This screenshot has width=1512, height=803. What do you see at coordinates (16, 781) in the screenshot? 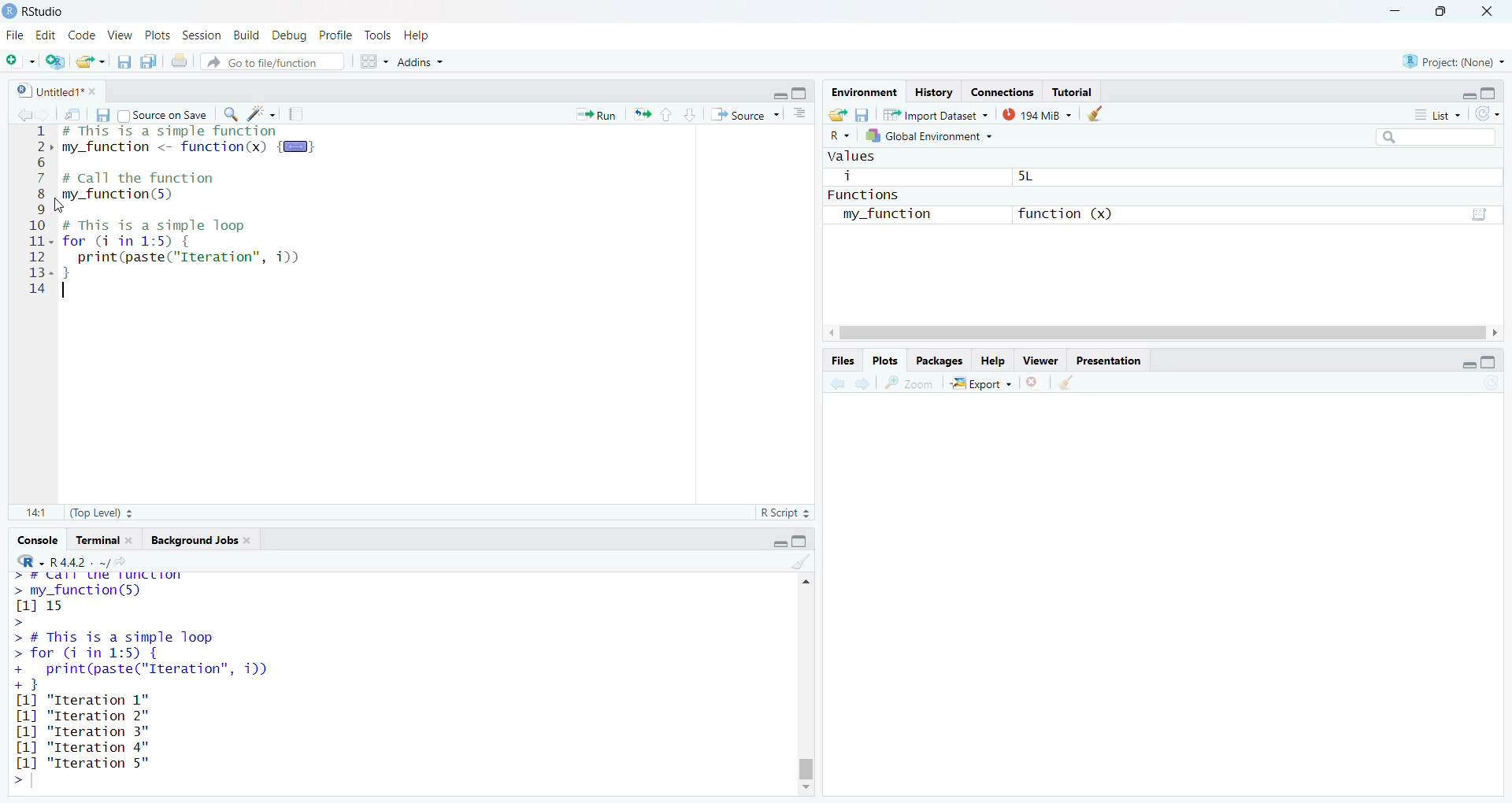
I see `prompt cursor` at bounding box center [16, 781].